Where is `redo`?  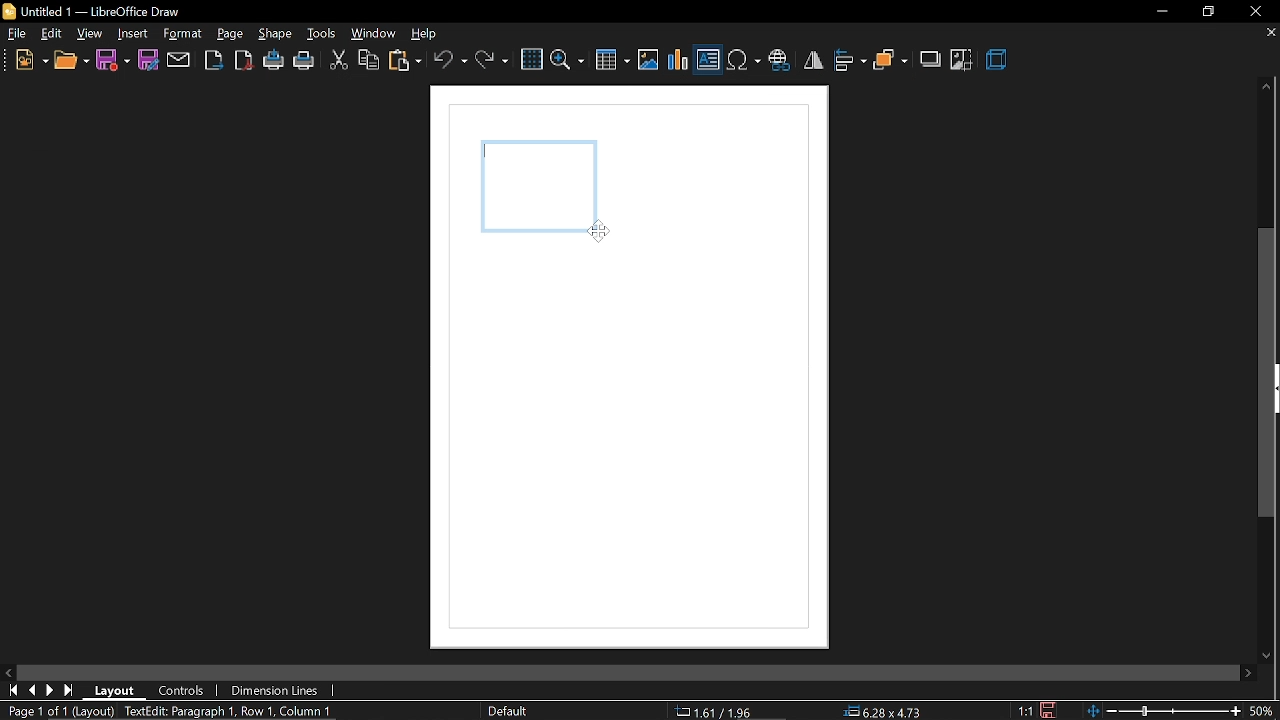
redo is located at coordinates (492, 59).